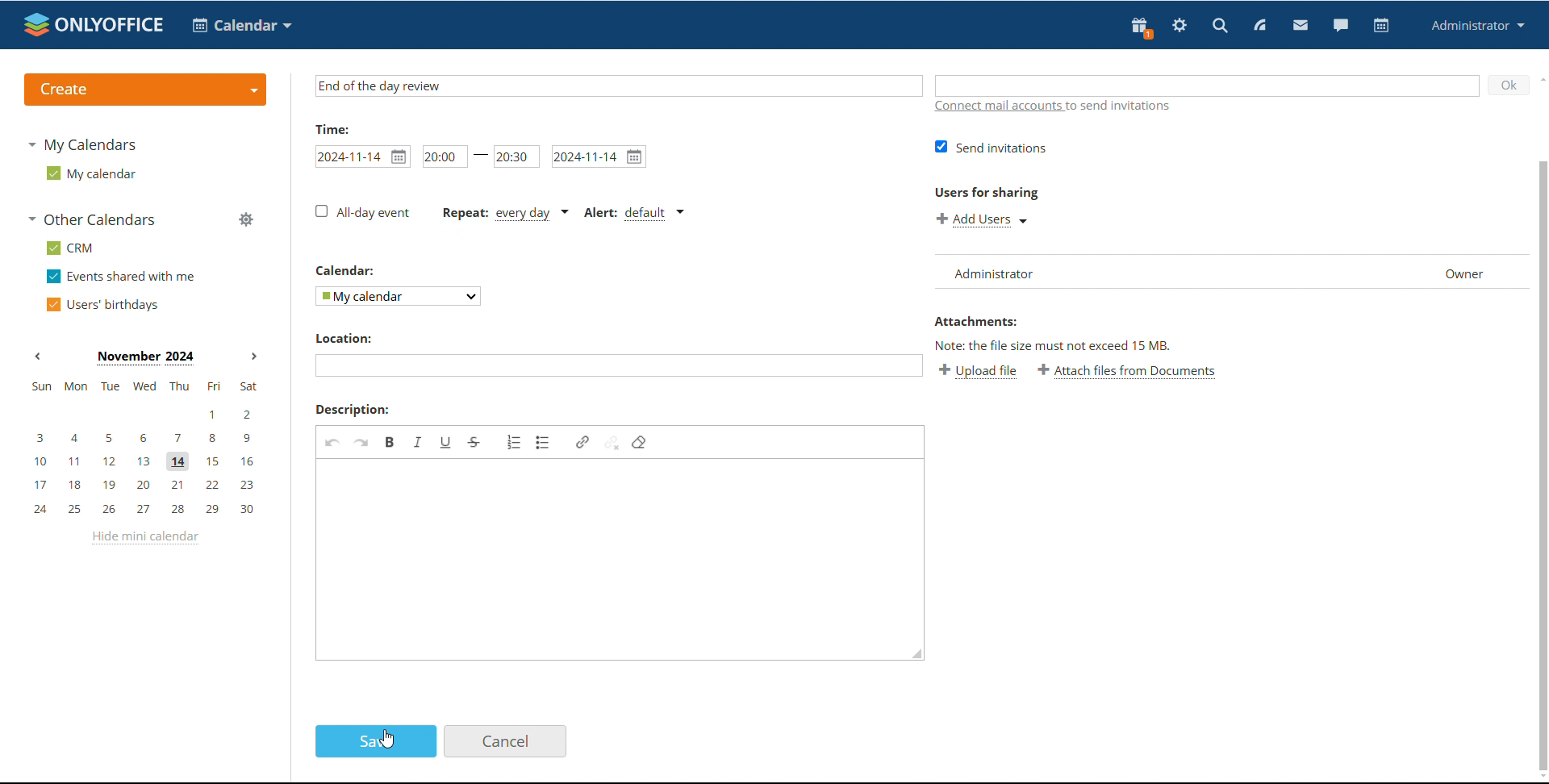 This screenshot has width=1549, height=784. Describe the element at coordinates (514, 442) in the screenshot. I see `Insert or remove numbered list` at that location.